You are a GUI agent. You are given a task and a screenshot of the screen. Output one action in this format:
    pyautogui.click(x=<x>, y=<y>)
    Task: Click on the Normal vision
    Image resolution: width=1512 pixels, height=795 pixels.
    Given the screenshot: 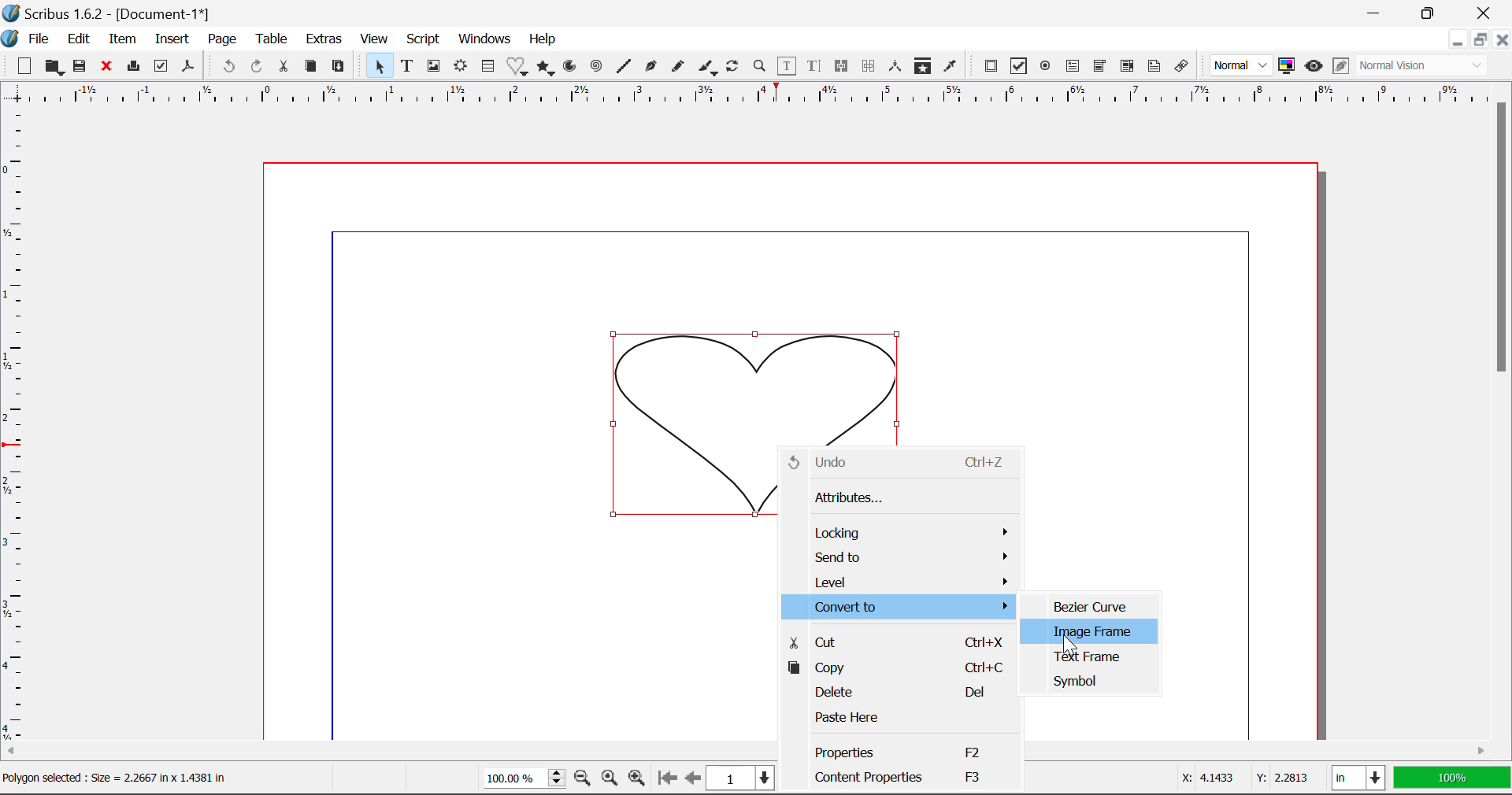 What is the action you would take?
    pyautogui.click(x=1424, y=67)
    